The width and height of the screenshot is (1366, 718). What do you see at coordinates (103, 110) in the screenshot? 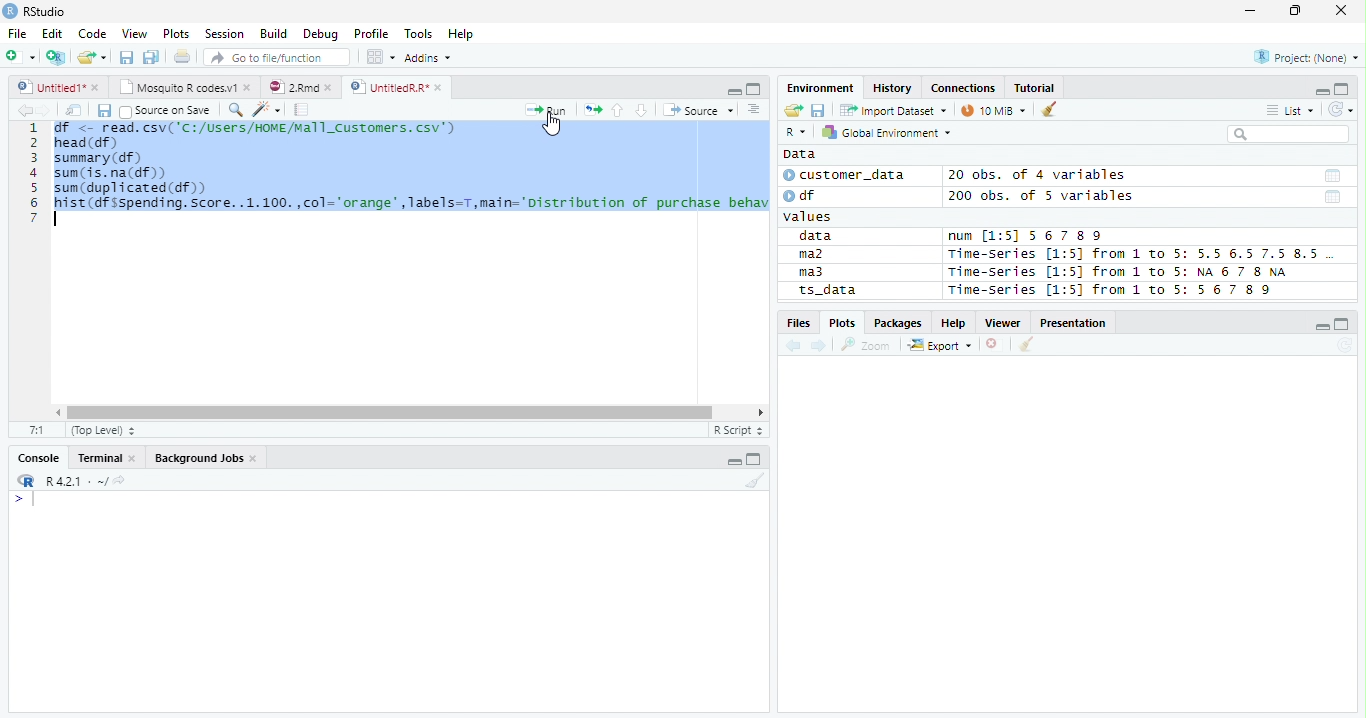
I see `Save` at bounding box center [103, 110].